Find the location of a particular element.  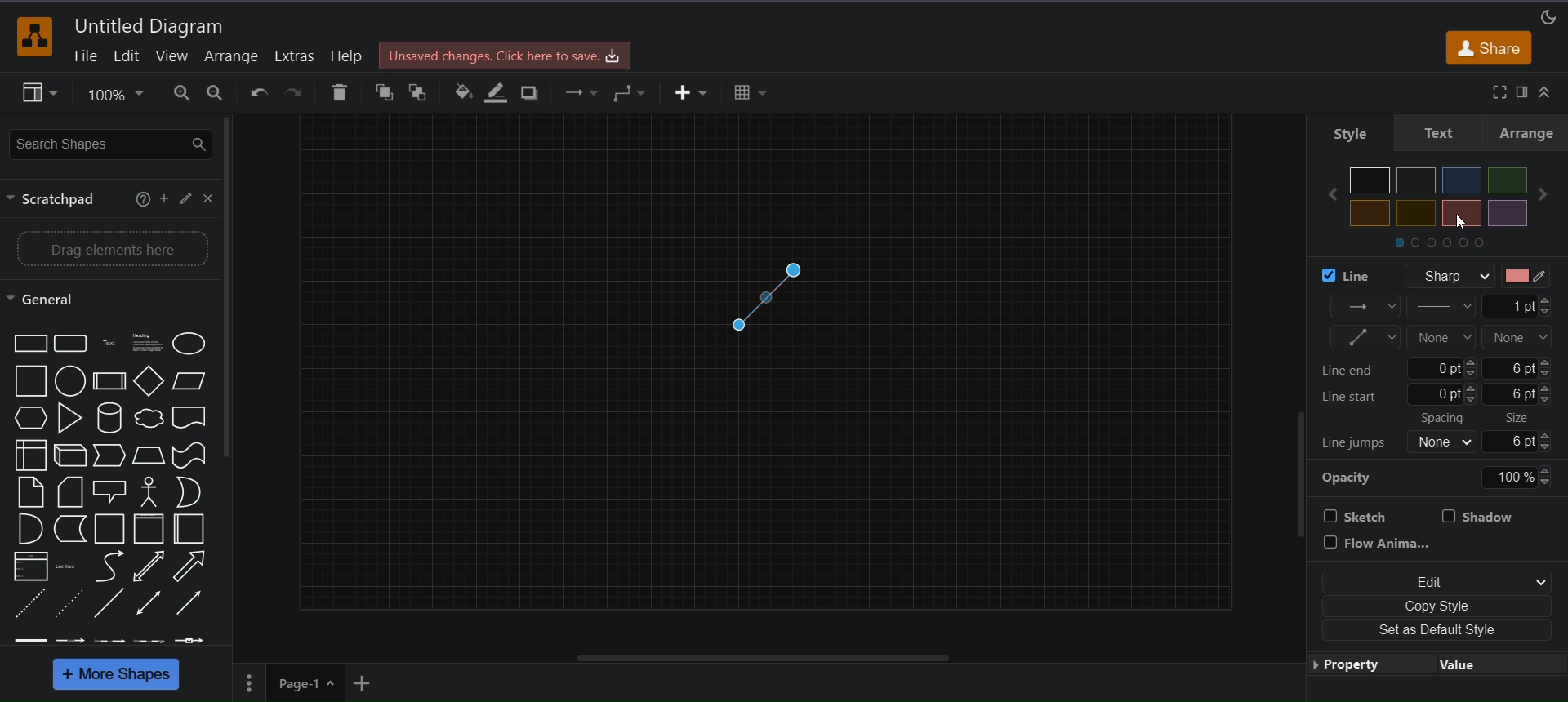

vertical scroll bar is located at coordinates (232, 291).